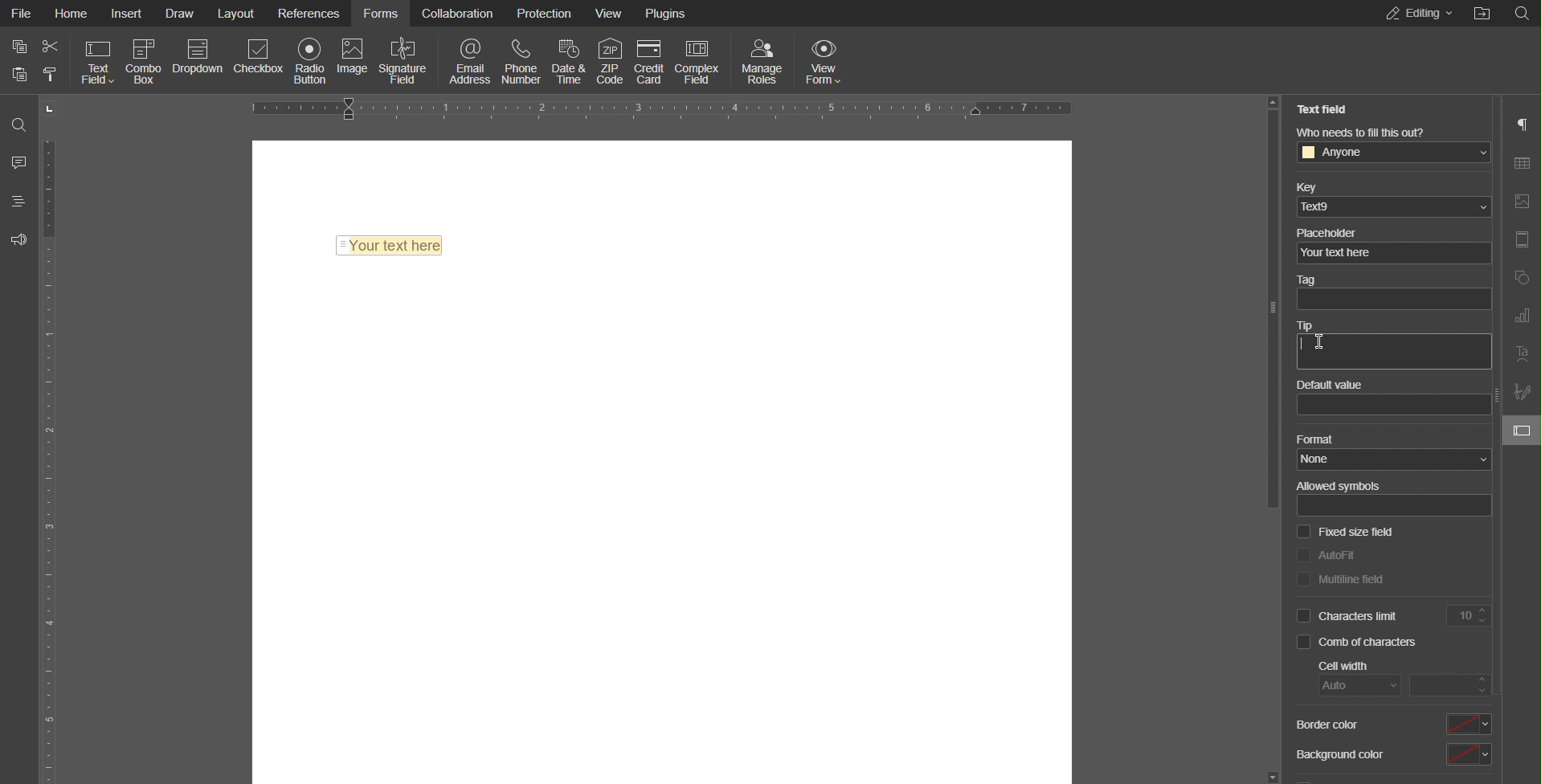 The image size is (1541, 784). I want to click on Draw, so click(180, 14).